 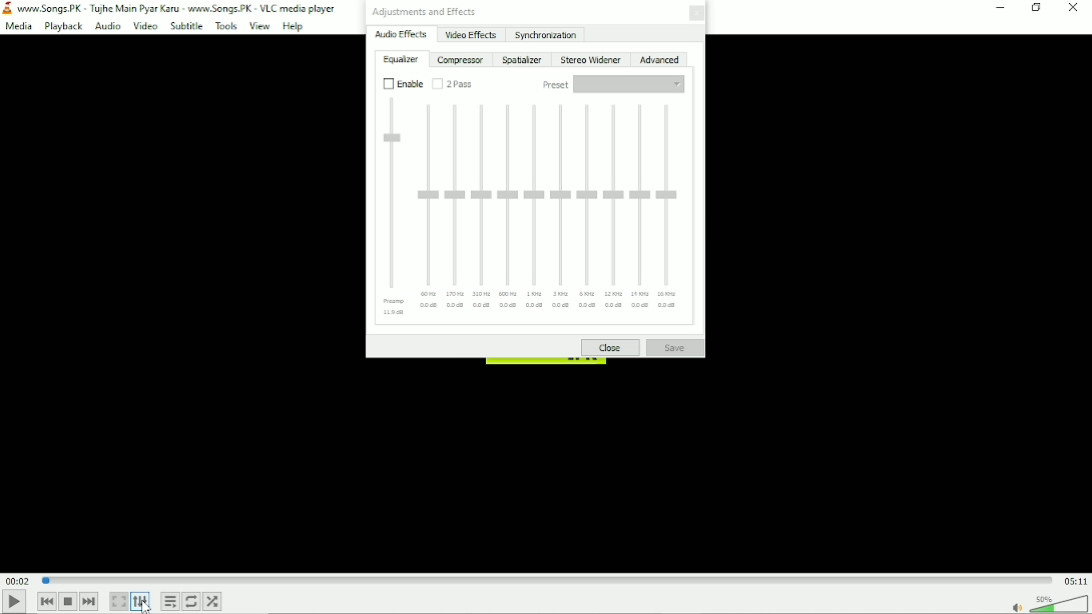 What do you see at coordinates (68, 602) in the screenshot?
I see `Stop playlist` at bounding box center [68, 602].